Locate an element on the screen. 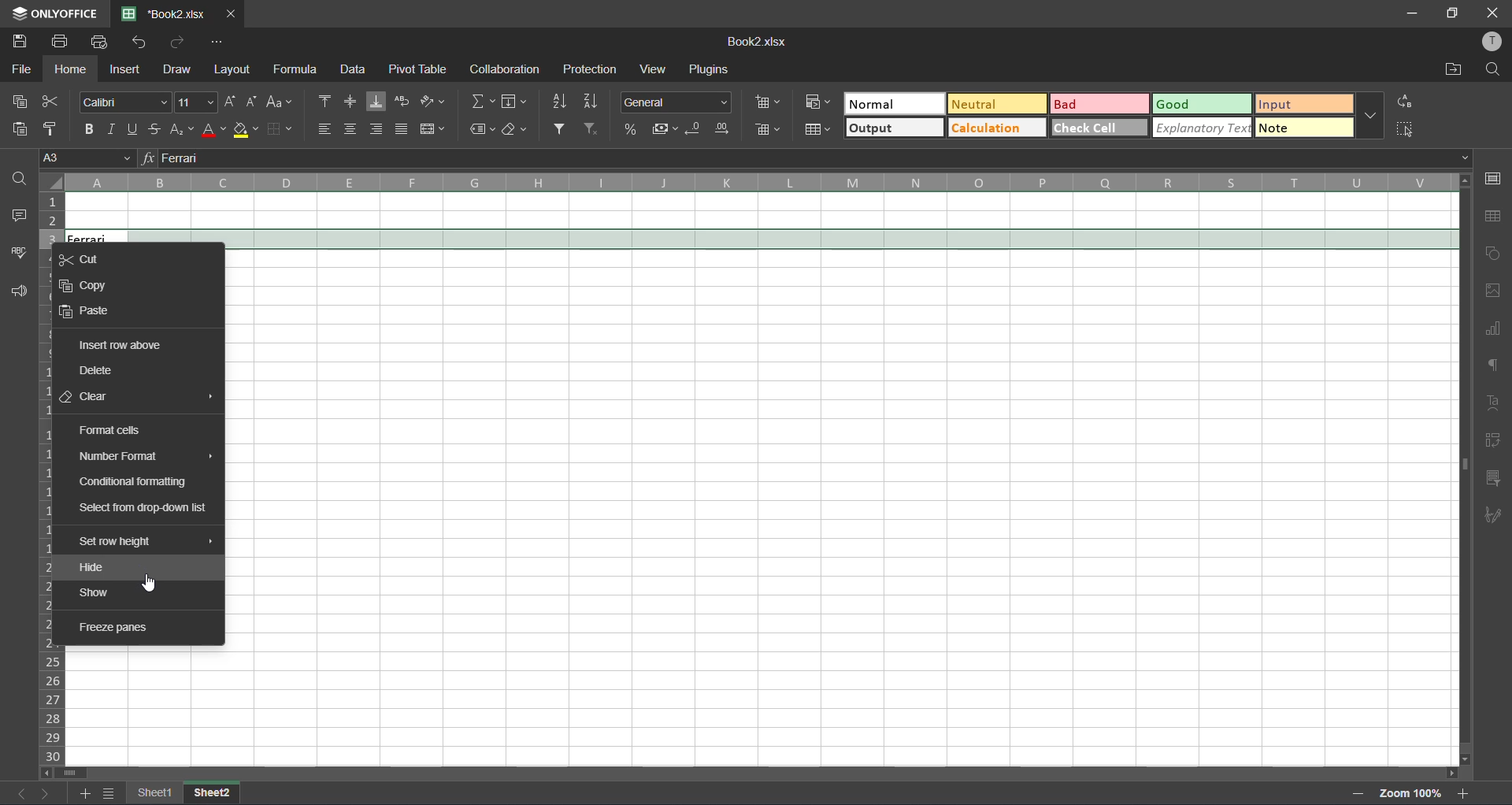 The height and width of the screenshot is (805, 1512). sheet names is located at coordinates (183, 792).